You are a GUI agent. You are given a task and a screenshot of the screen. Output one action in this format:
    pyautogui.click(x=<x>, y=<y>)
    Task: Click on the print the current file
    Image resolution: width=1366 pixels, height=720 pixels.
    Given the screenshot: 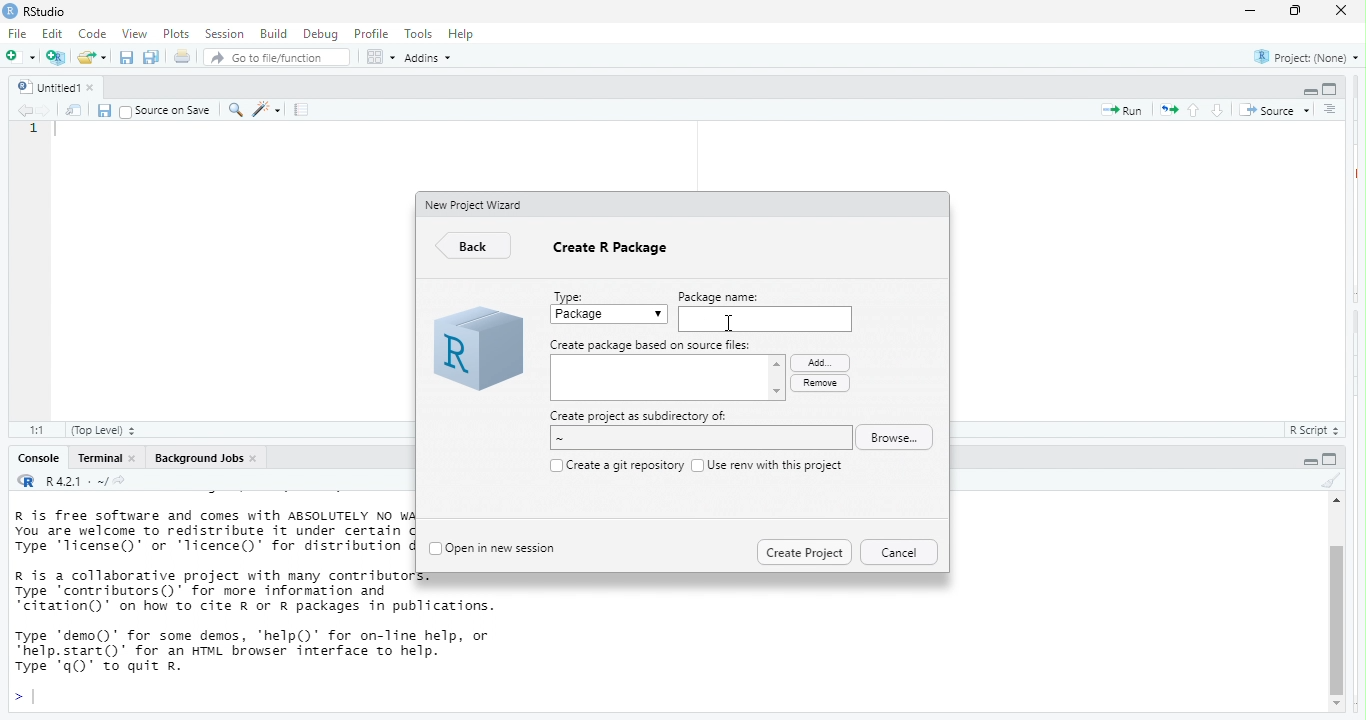 What is the action you would take?
    pyautogui.click(x=180, y=57)
    